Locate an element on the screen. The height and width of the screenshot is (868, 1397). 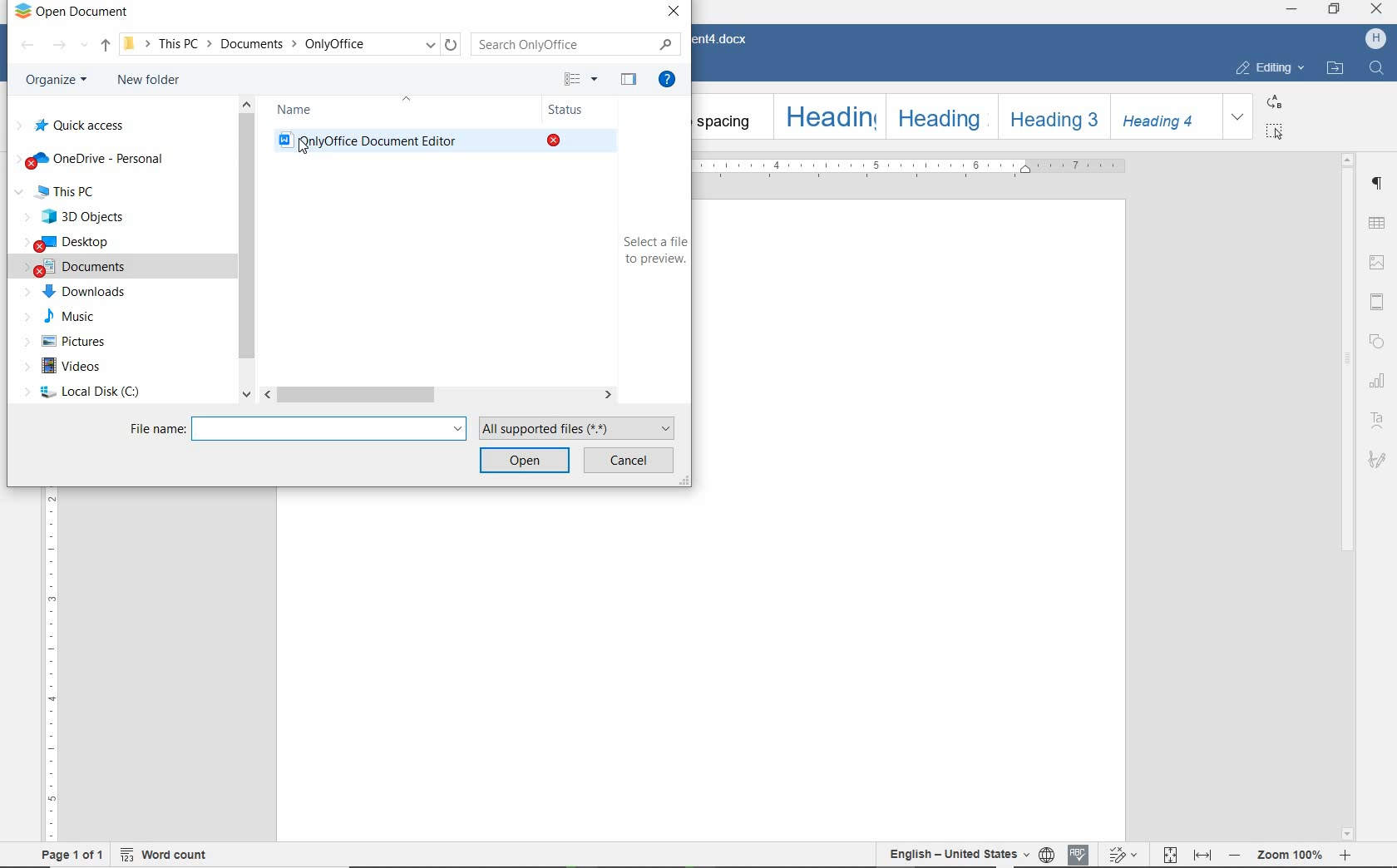
new folder is located at coordinates (147, 81).